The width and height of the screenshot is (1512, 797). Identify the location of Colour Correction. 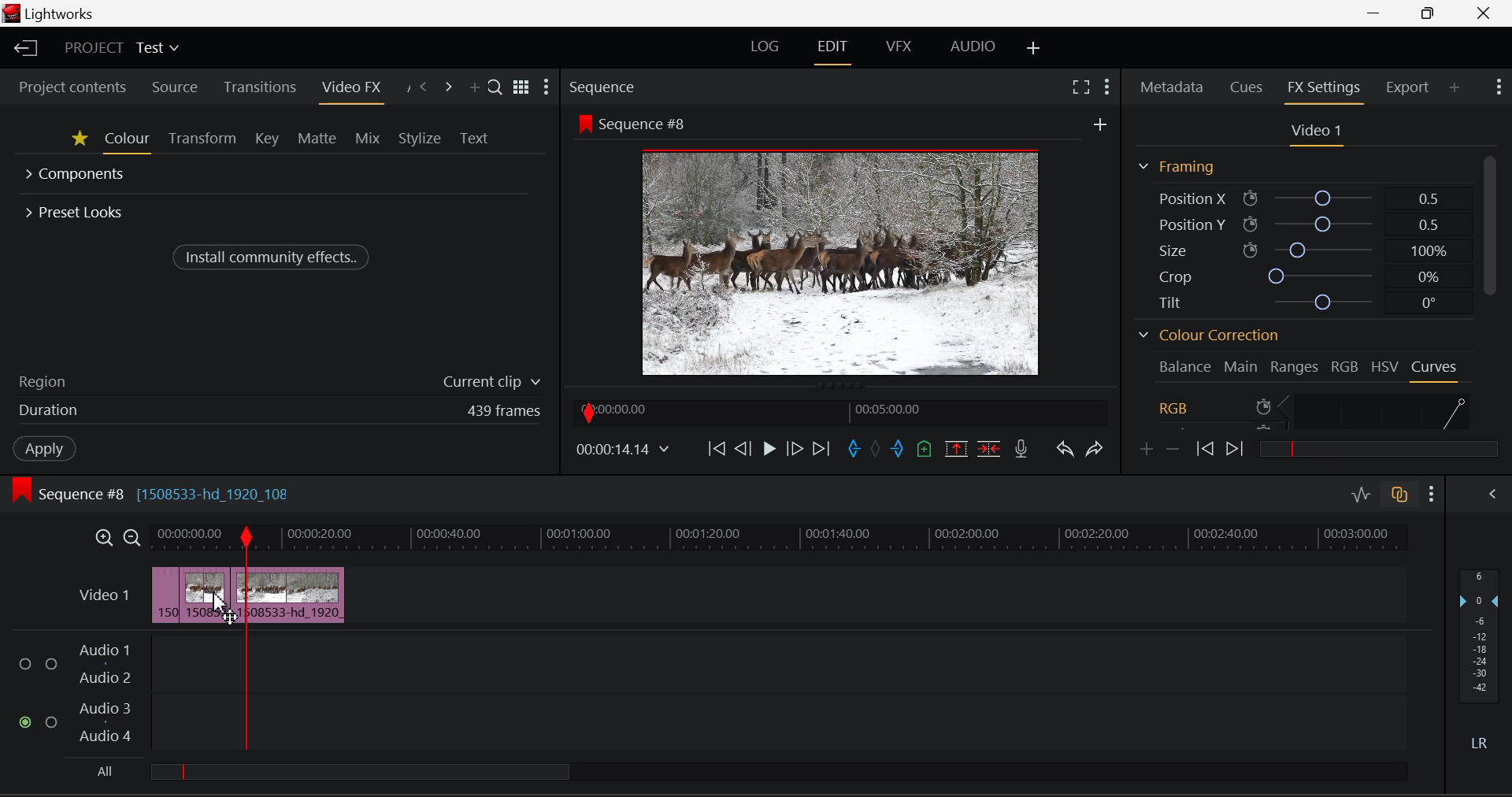
(1206, 335).